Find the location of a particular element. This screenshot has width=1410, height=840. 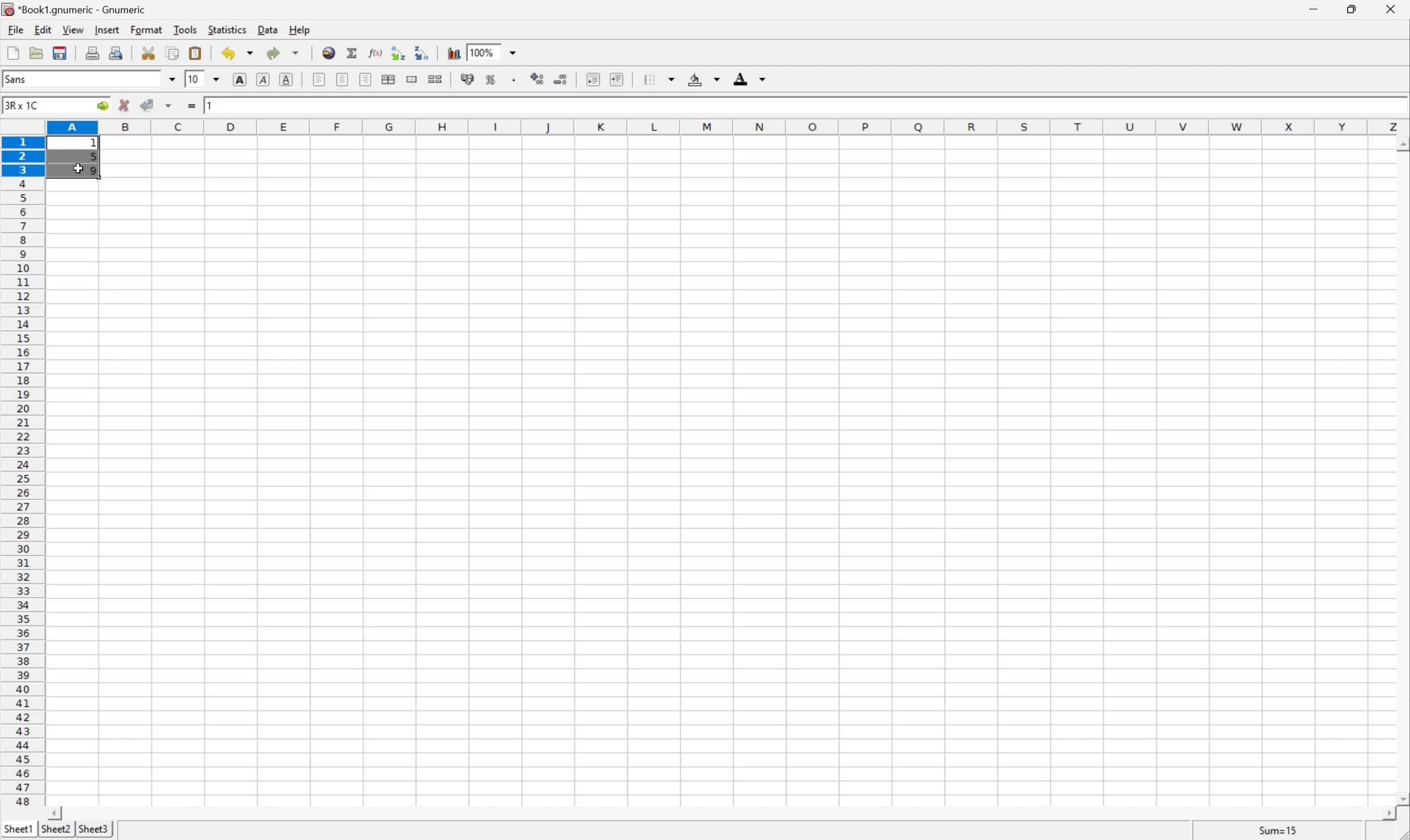

sheet3 is located at coordinates (93, 830).